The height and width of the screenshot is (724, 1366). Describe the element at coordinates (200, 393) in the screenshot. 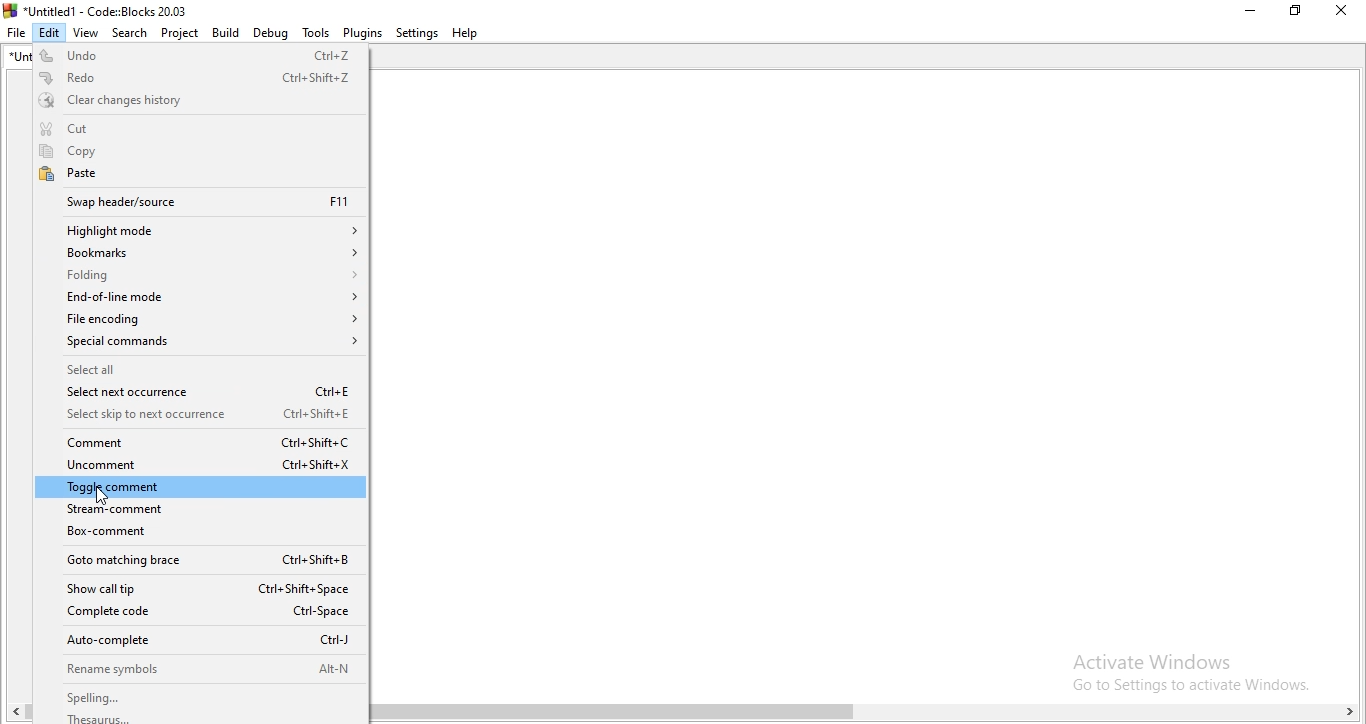

I see `Select next occurrence` at that location.